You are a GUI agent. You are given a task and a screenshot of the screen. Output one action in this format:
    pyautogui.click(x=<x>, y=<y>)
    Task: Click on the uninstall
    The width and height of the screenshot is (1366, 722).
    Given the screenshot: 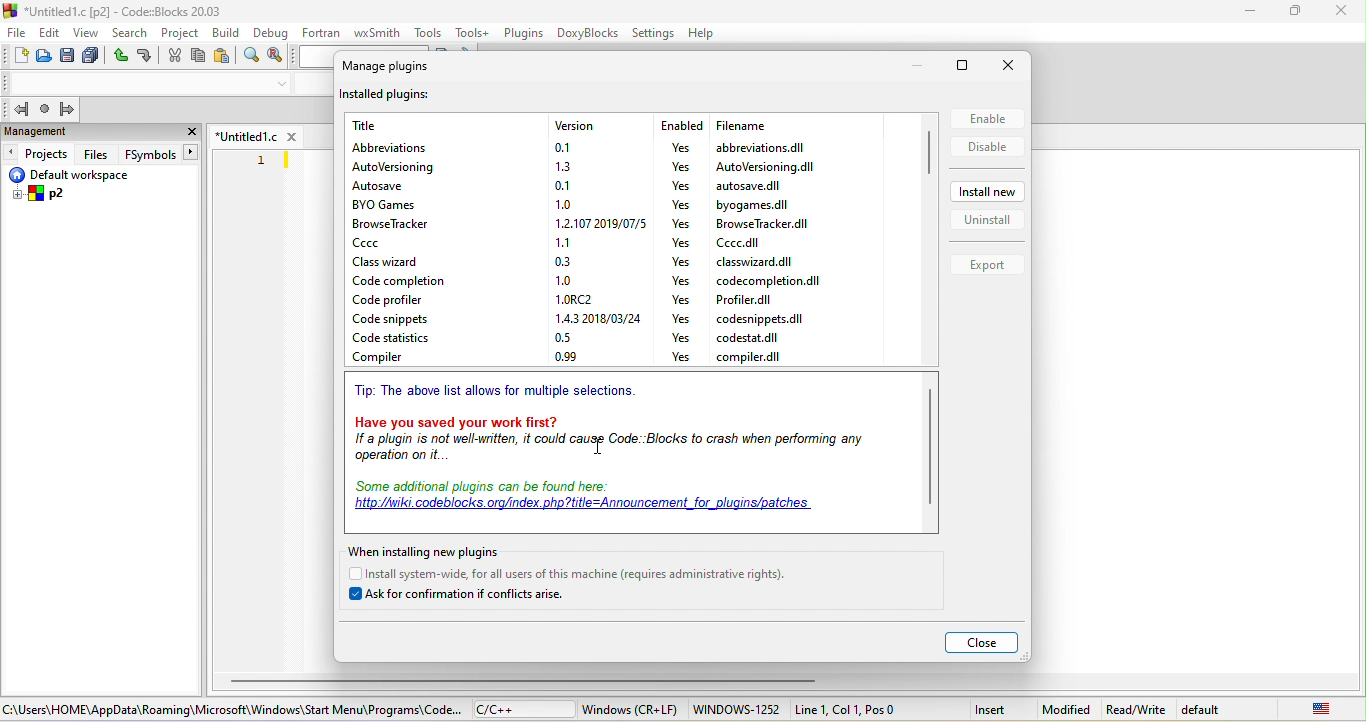 What is the action you would take?
    pyautogui.click(x=987, y=224)
    